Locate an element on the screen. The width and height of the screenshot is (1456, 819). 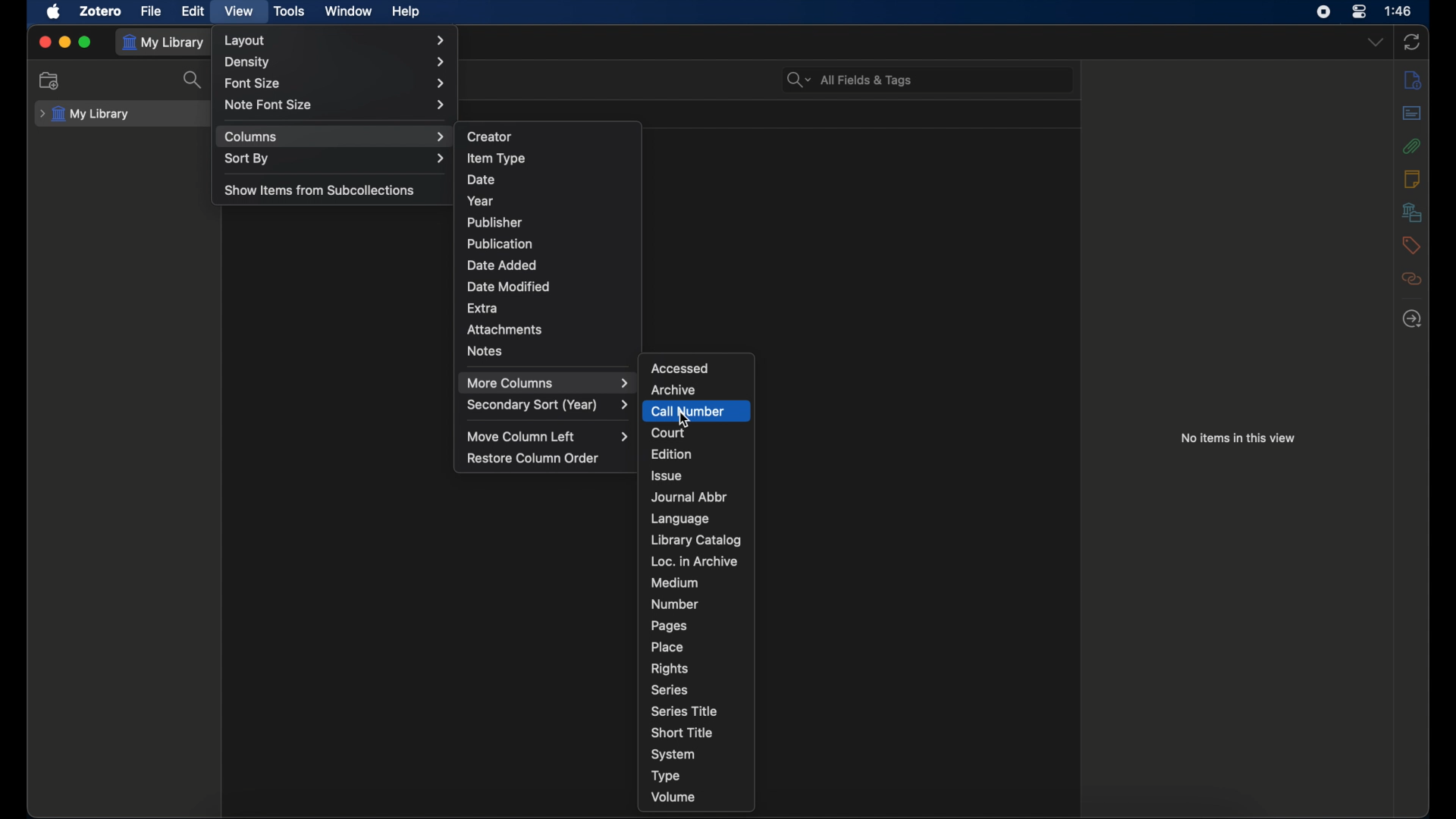
layout is located at coordinates (338, 40).